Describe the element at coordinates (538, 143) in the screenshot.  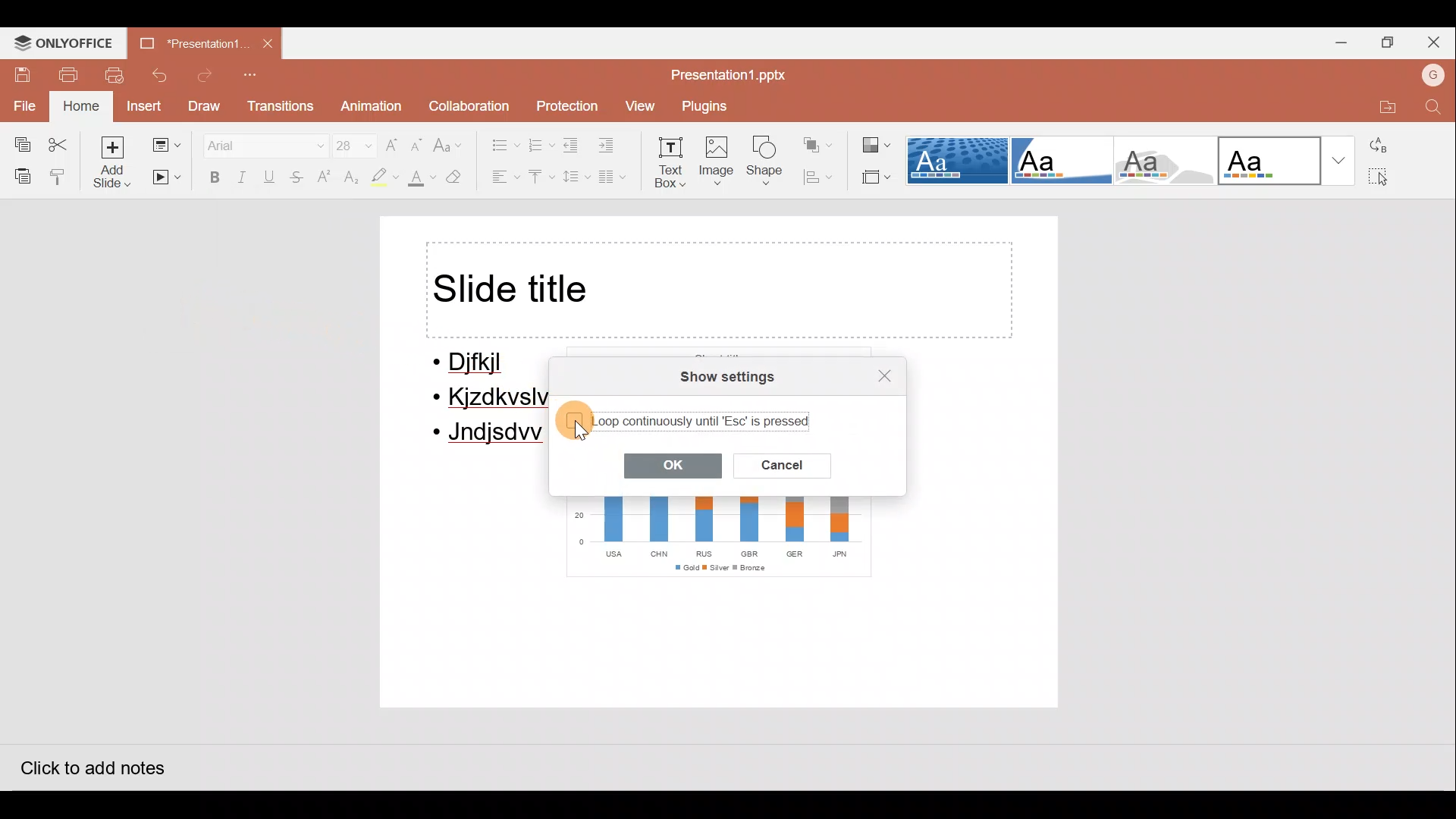
I see `Numbering` at that location.